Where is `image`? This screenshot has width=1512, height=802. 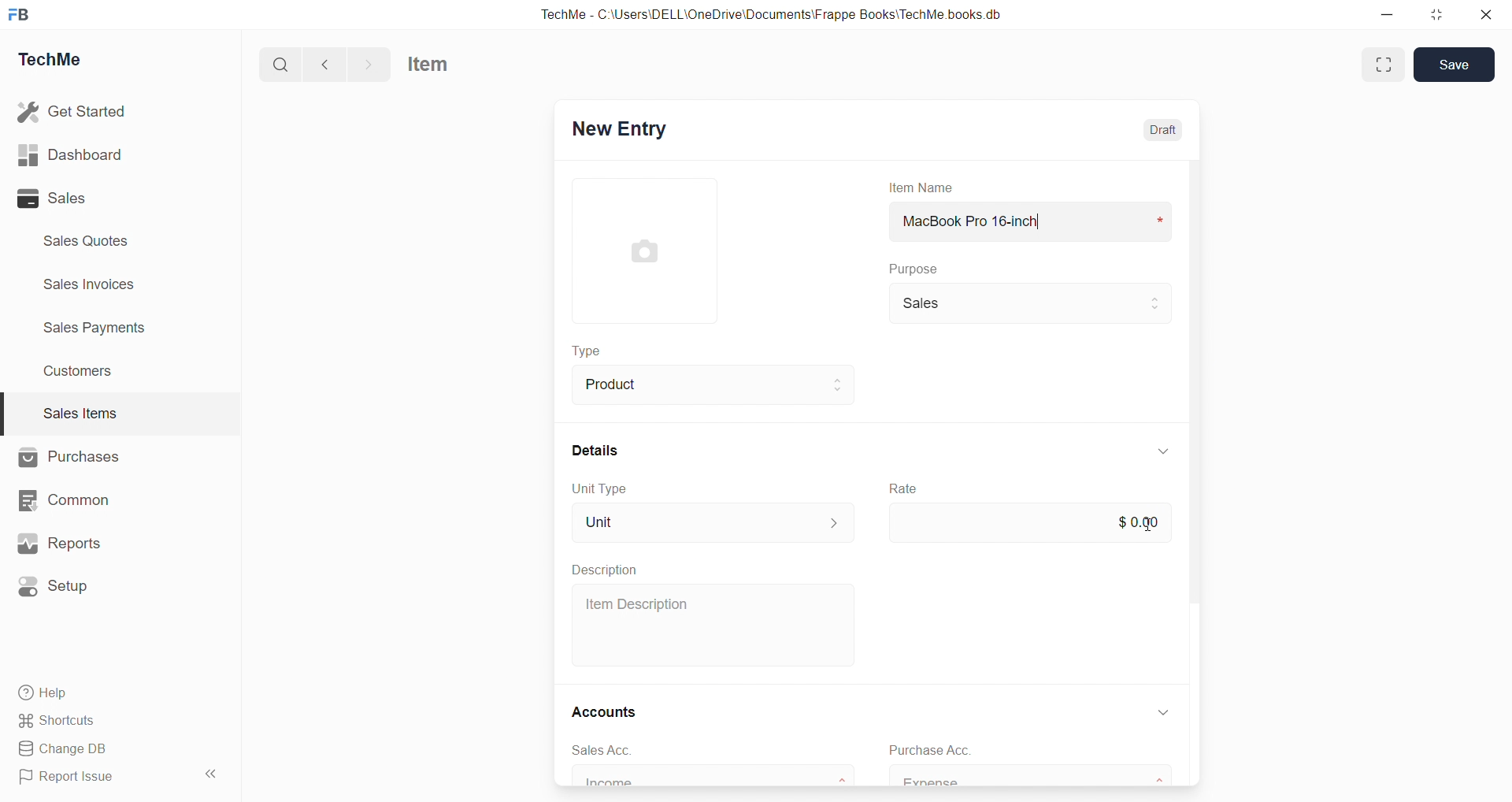 image is located at coordinates (643, 251).